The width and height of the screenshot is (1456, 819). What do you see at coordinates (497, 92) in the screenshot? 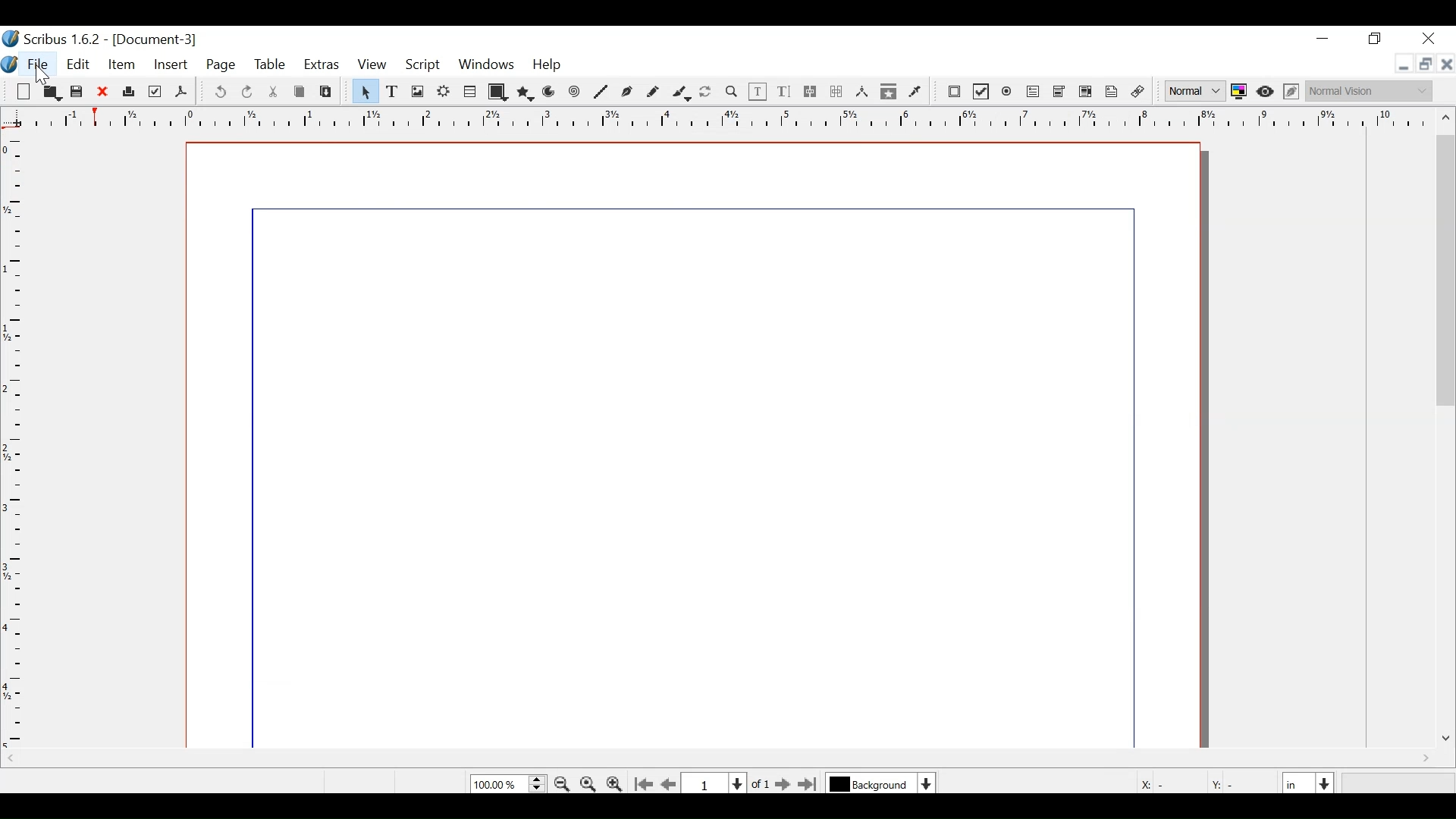
I see `Shape ` at bounding box center [497, 92].